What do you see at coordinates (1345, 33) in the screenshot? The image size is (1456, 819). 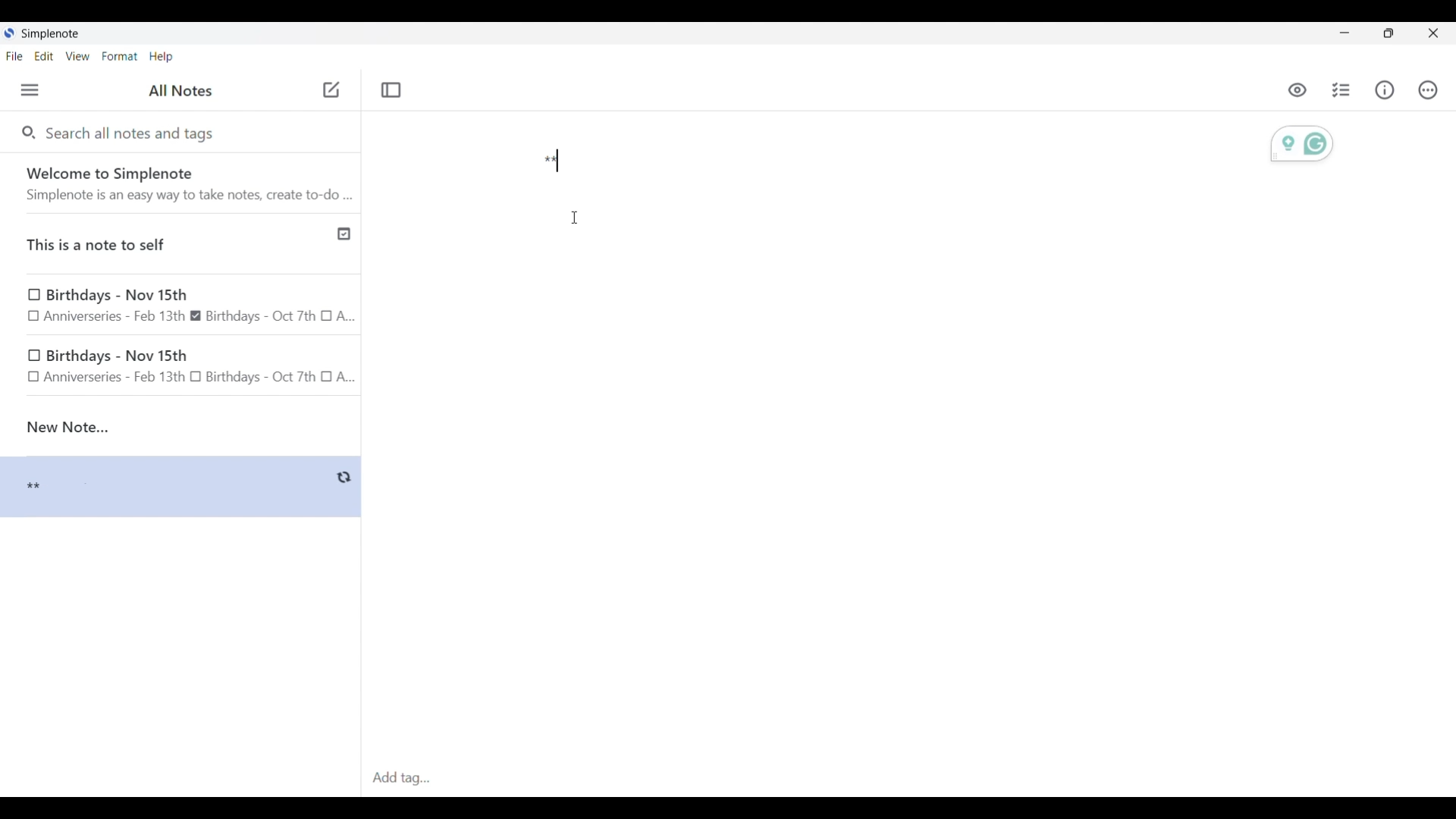 I see `Minimize` at bounding box center [1345, 33].